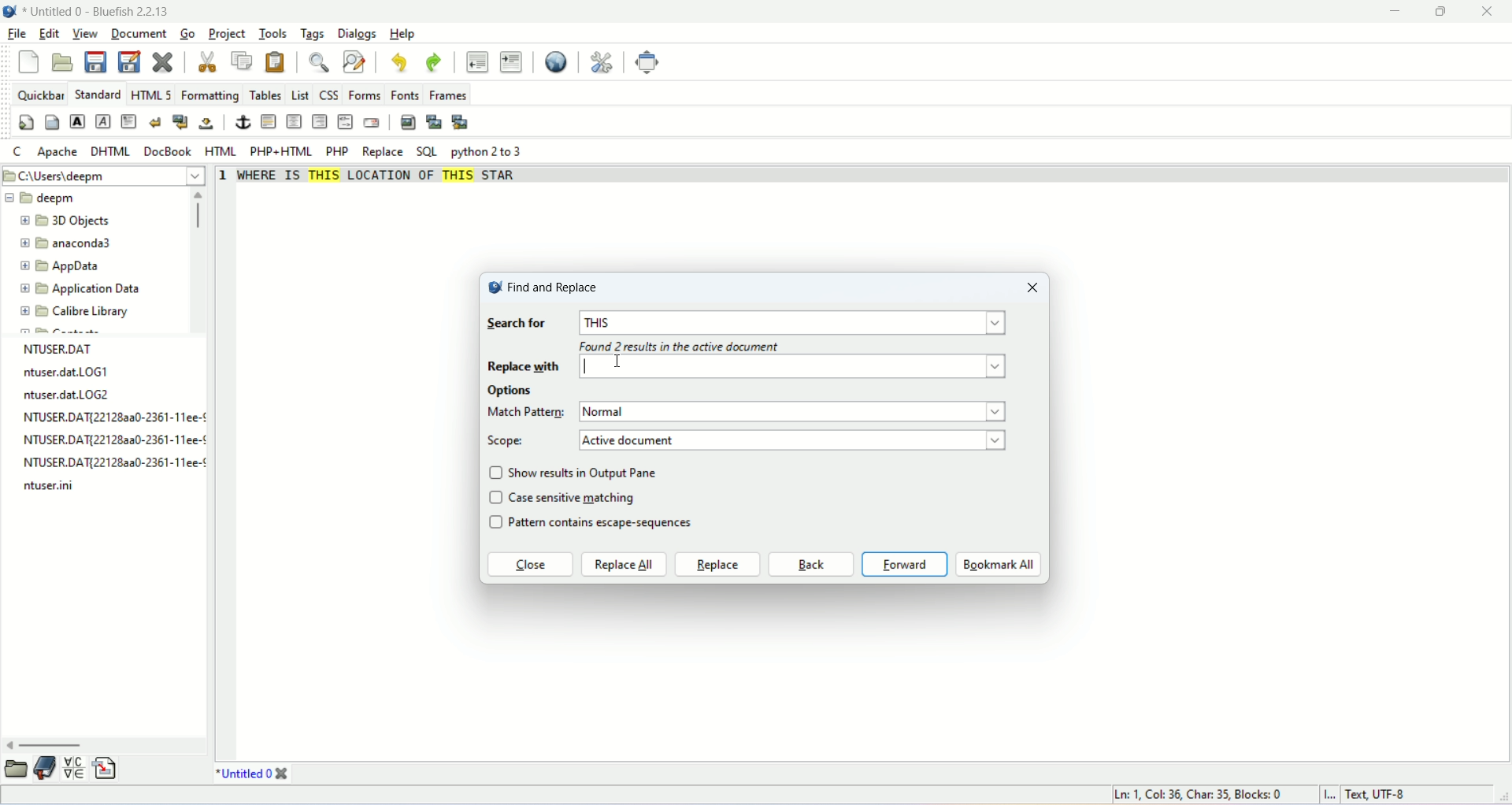  I want to click on save file, so click(98, 62).